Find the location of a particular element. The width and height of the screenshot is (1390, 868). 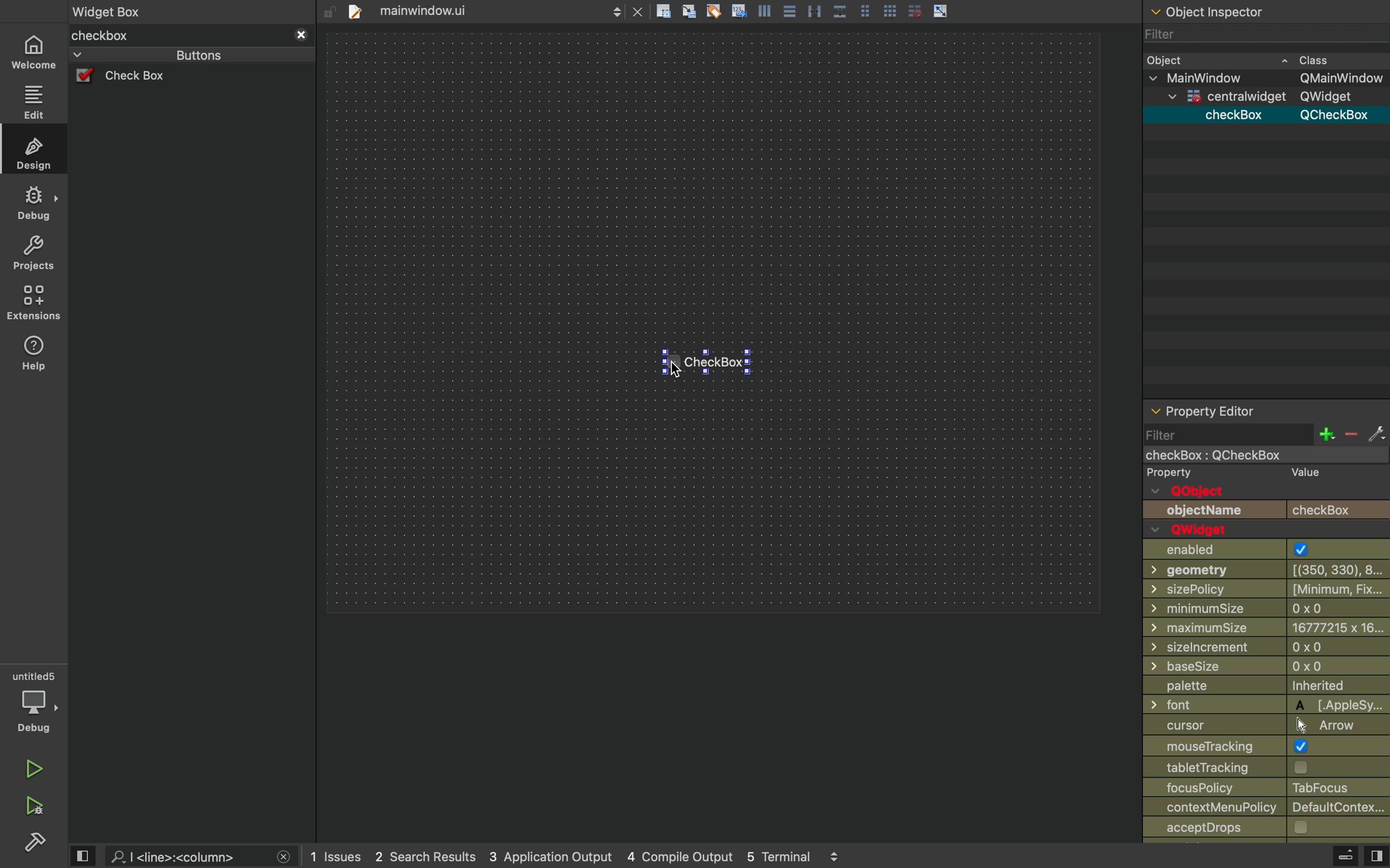

distribute vertically is located at coordinates (840, 11).